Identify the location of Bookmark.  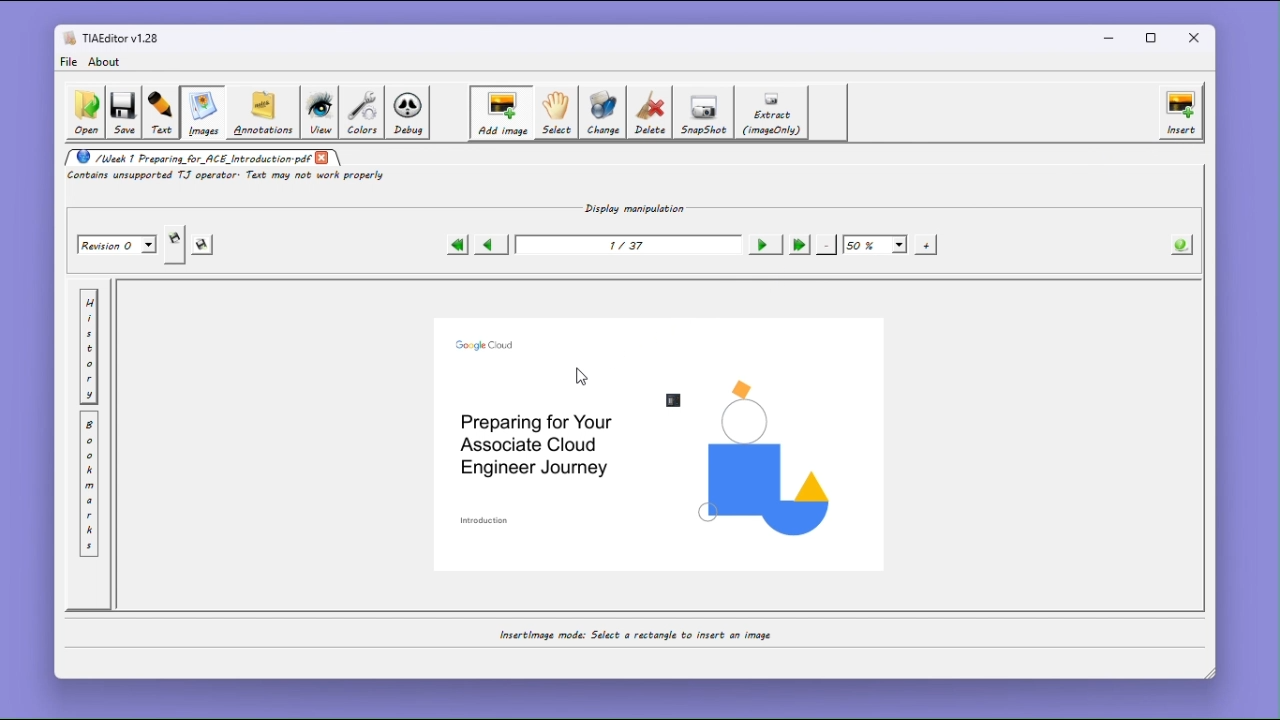
(89, 485).